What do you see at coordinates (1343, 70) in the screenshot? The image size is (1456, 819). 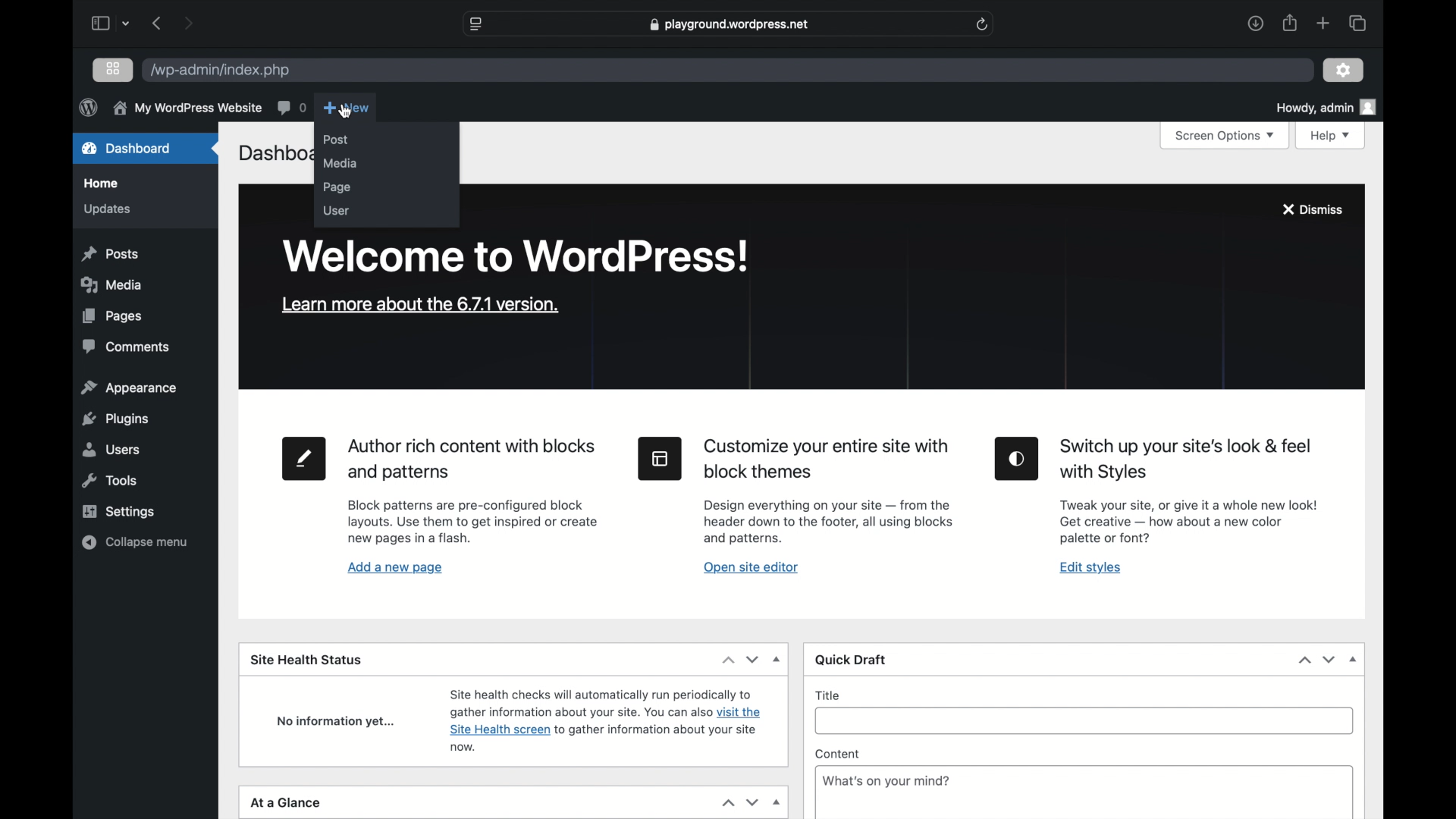 I see `settings` at bounding box center [1343, 70].